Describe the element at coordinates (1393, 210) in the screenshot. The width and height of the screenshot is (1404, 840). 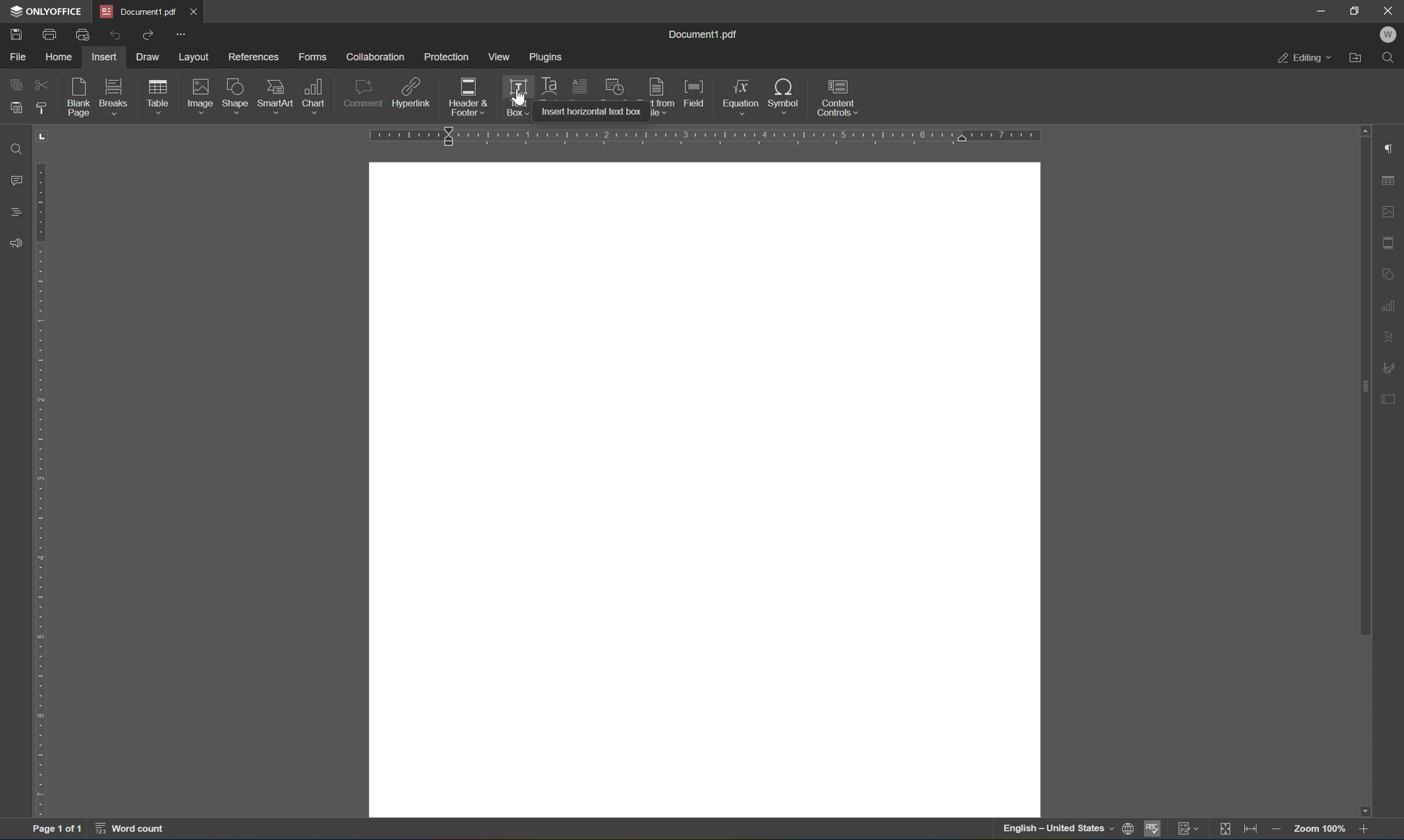
I see `Image settings` at that location.